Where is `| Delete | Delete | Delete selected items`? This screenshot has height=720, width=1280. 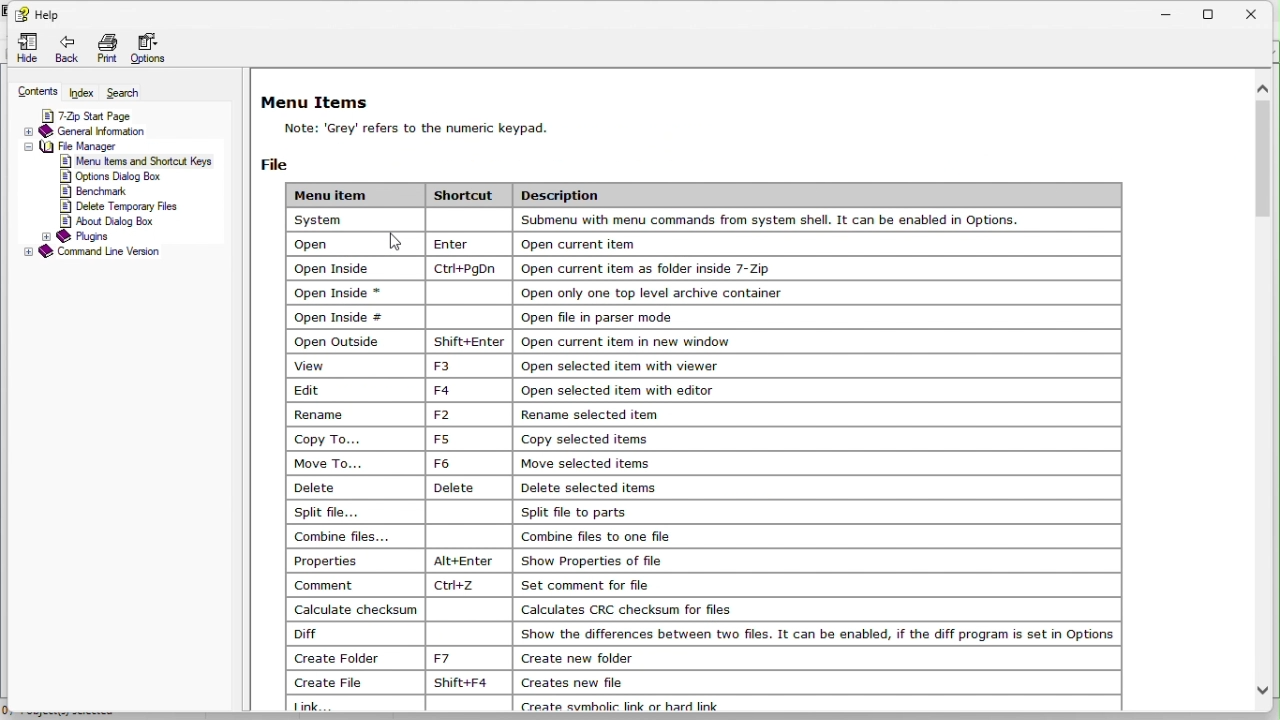
| Delete | Delete | Delete selected items is located at coordinates (481, 487).